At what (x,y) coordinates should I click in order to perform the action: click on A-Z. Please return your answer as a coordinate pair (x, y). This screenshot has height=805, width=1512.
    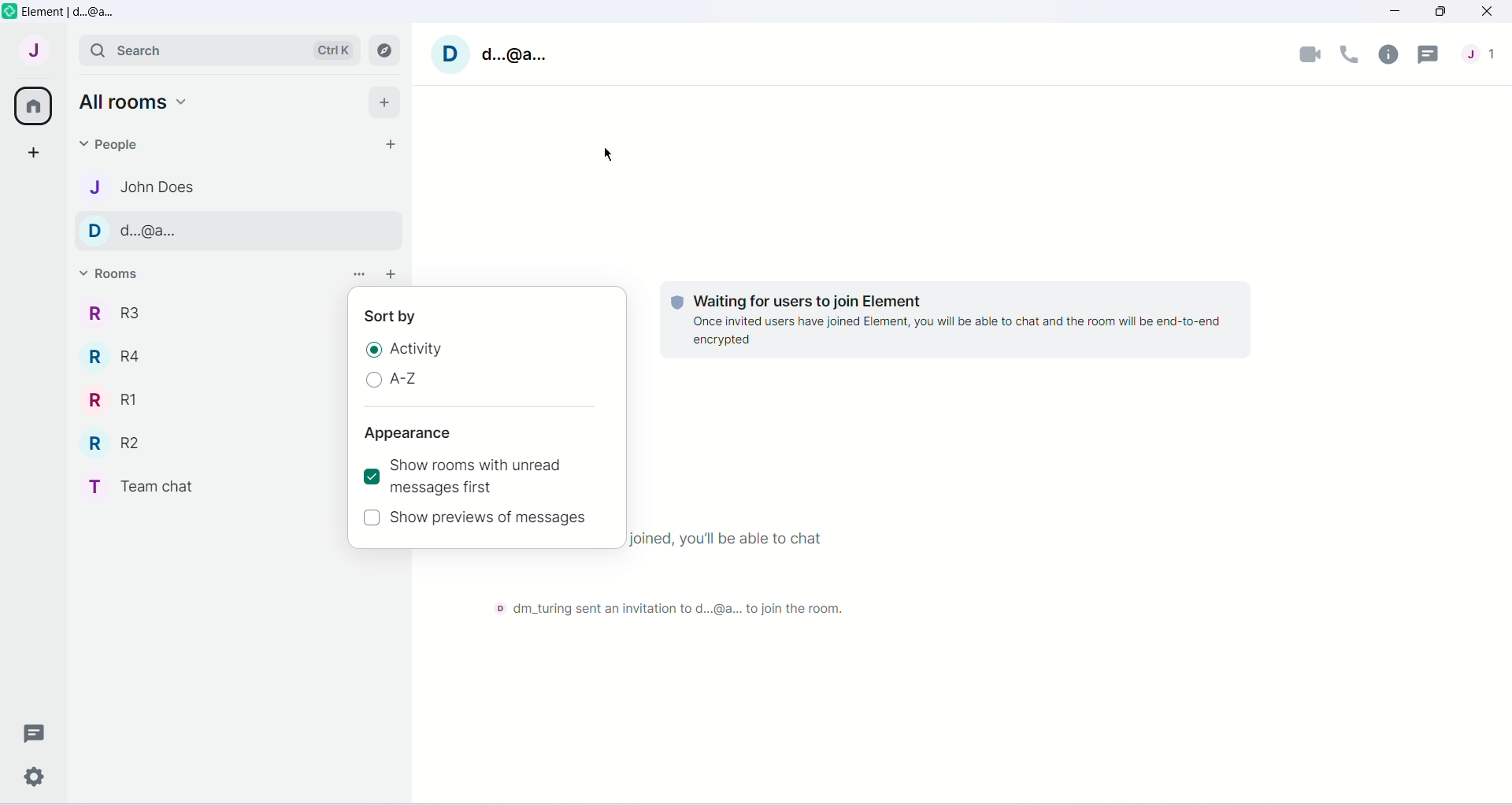
    Looking at the image, I should click on (403, 379).